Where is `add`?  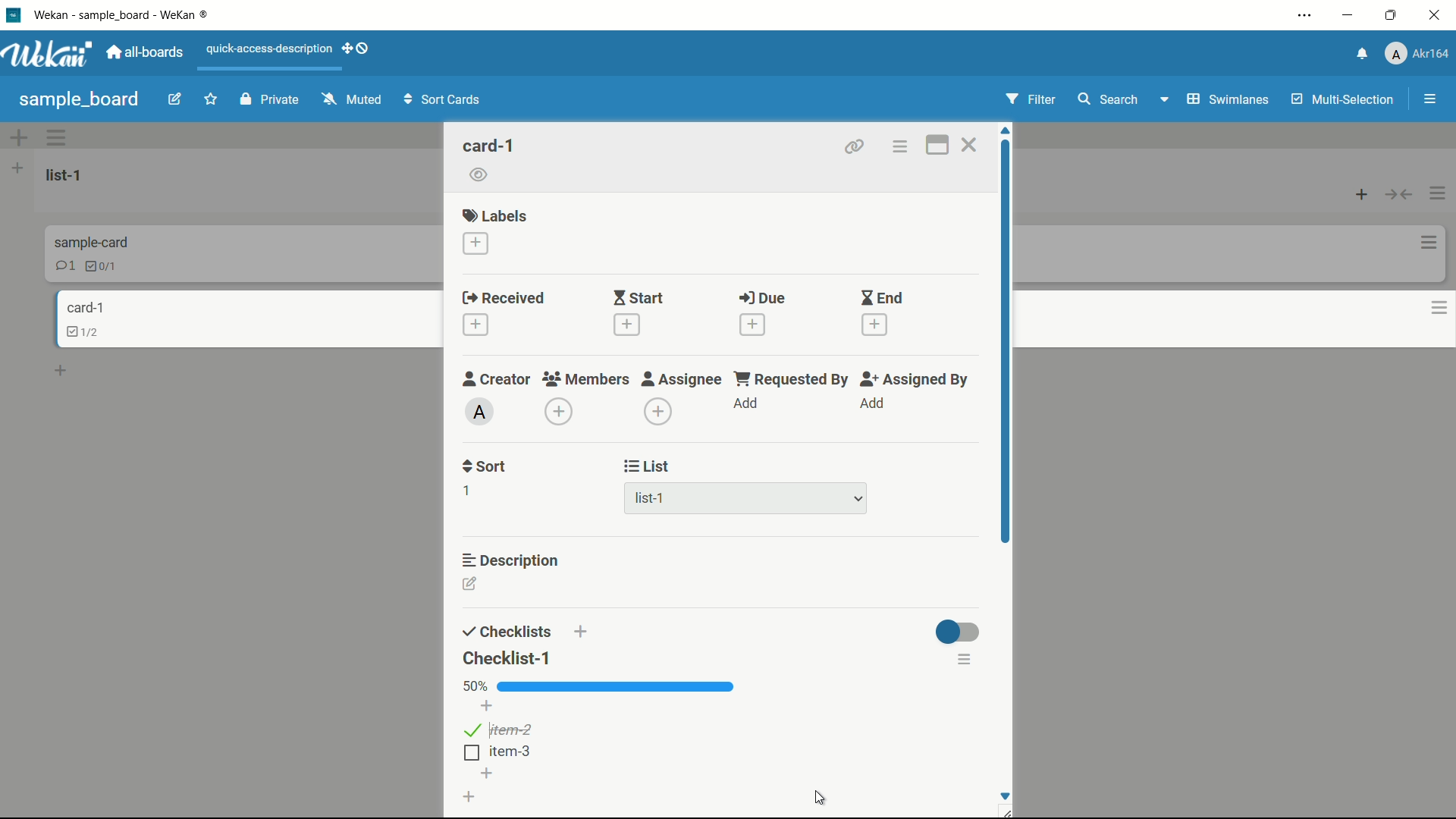
add is located at coordinates (874, 406).